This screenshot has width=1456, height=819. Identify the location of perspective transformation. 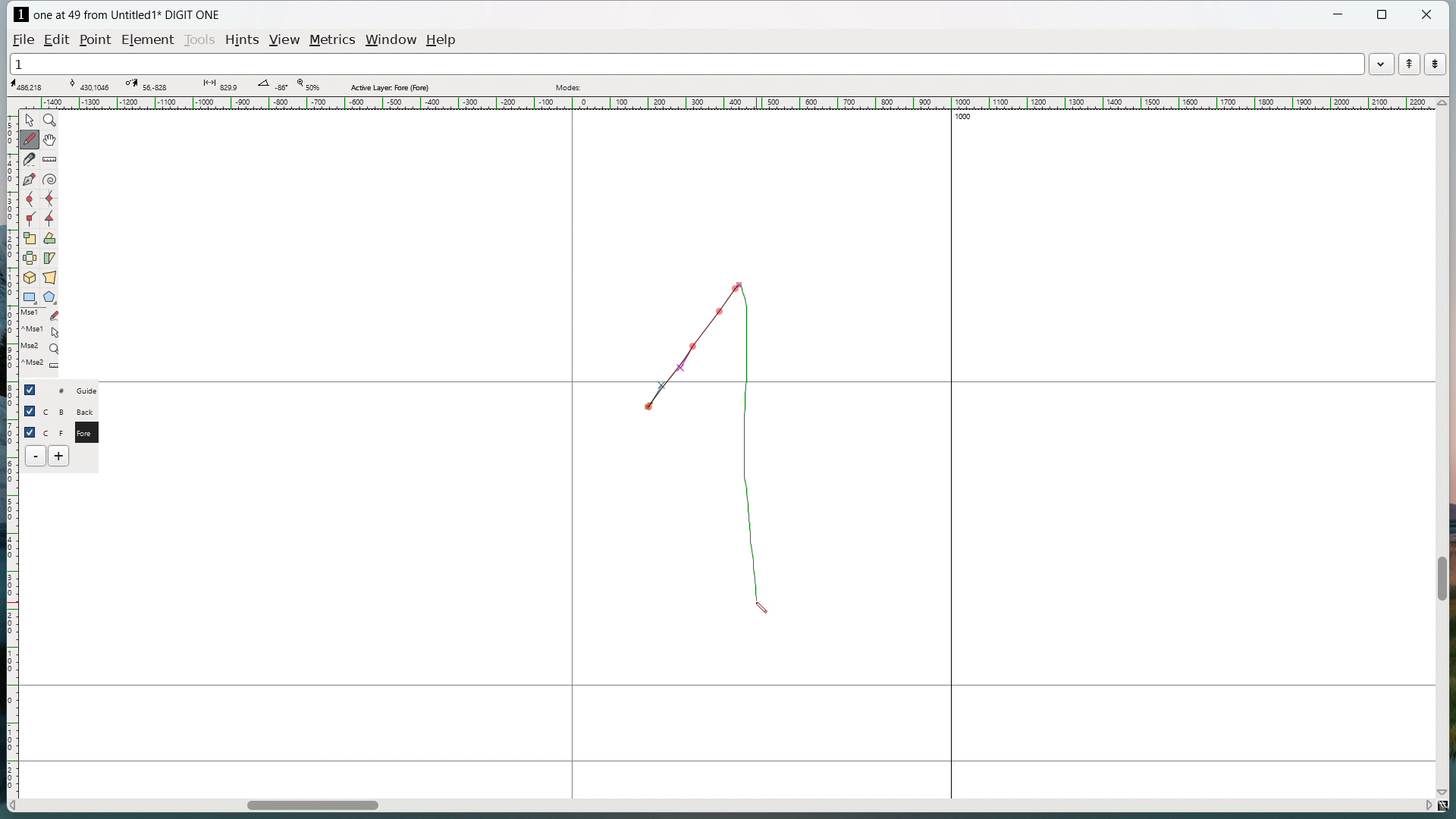
(49, 277).